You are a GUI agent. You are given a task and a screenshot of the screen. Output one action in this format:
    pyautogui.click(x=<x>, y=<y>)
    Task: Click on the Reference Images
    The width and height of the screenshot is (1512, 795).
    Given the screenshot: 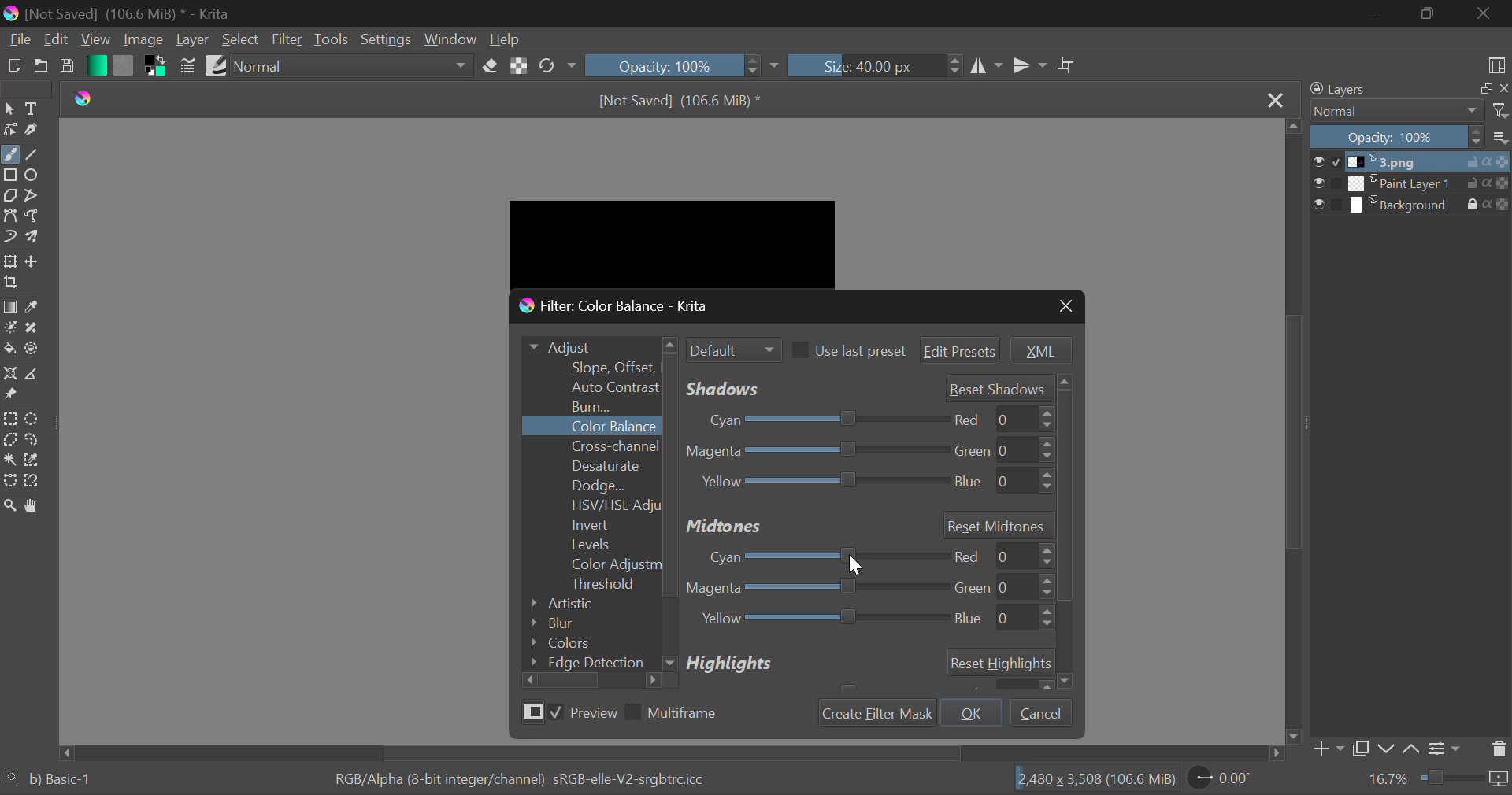 What is the action you would take?
    pyautogui.click(x=13, y=397)
    